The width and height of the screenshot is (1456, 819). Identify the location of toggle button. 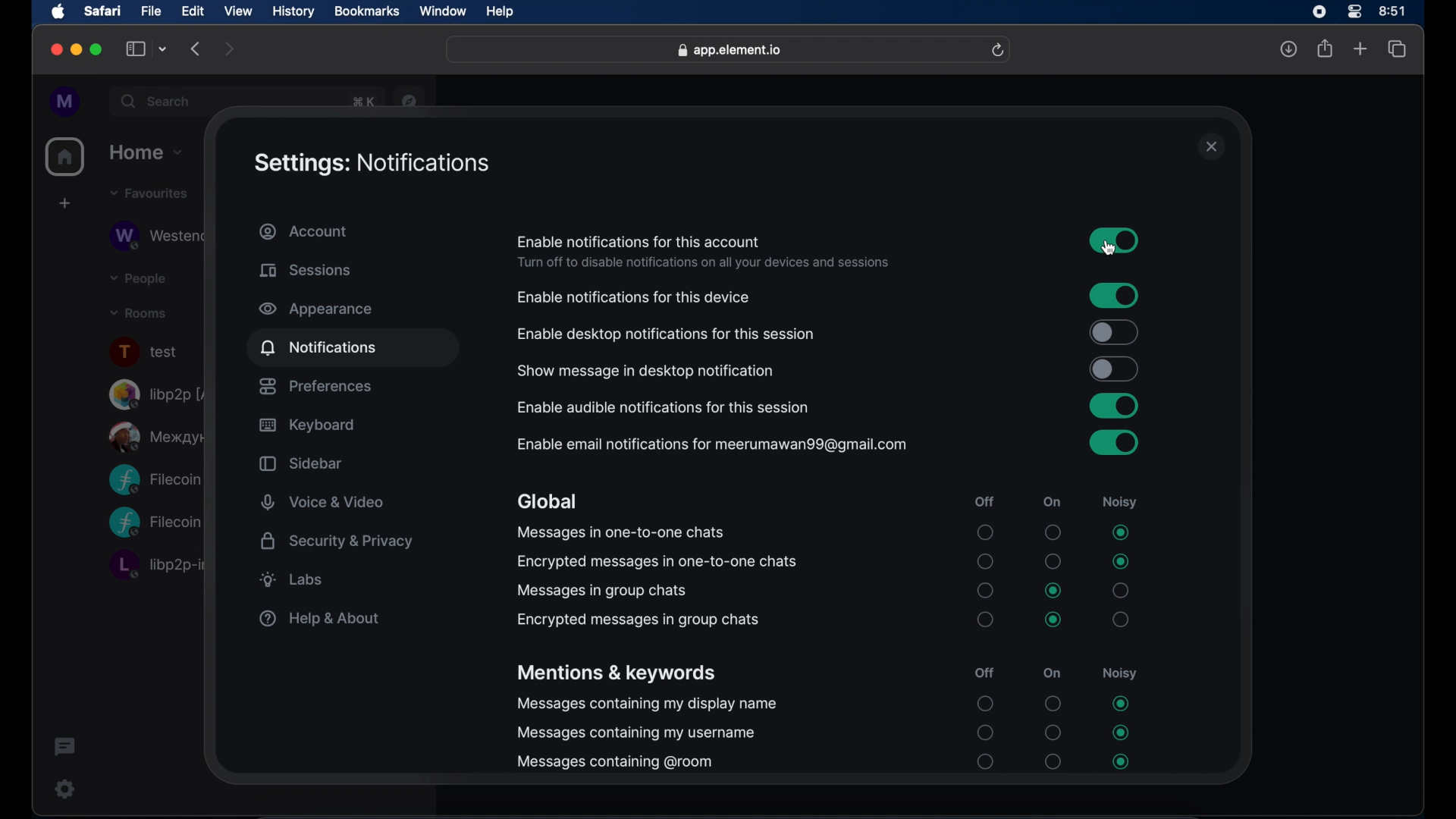
(1112, 332).